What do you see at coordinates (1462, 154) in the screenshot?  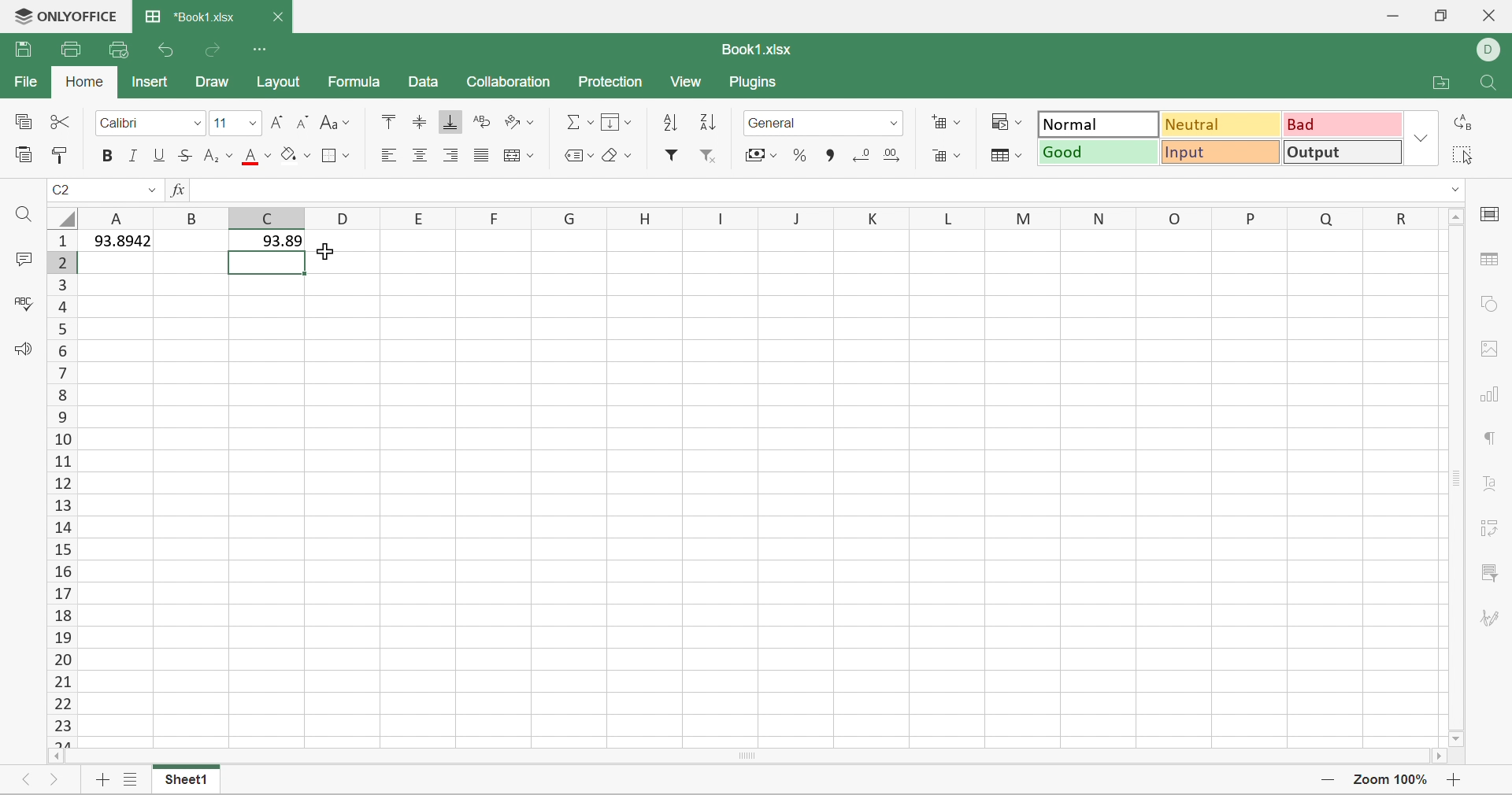 I see `Select all` at bounding box center [1462, 154].